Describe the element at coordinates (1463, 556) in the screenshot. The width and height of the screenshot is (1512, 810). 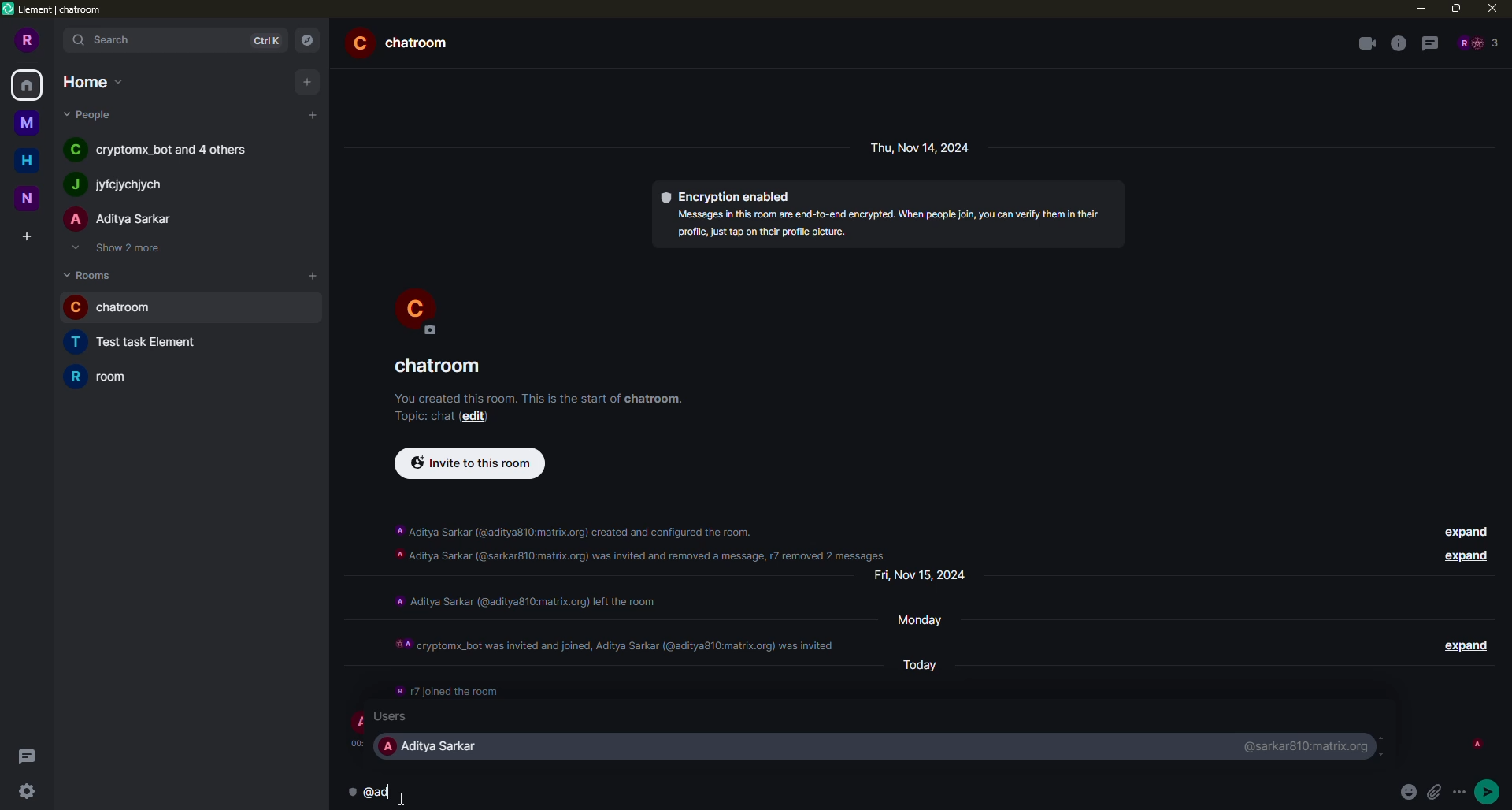
I see `expand` at that location.